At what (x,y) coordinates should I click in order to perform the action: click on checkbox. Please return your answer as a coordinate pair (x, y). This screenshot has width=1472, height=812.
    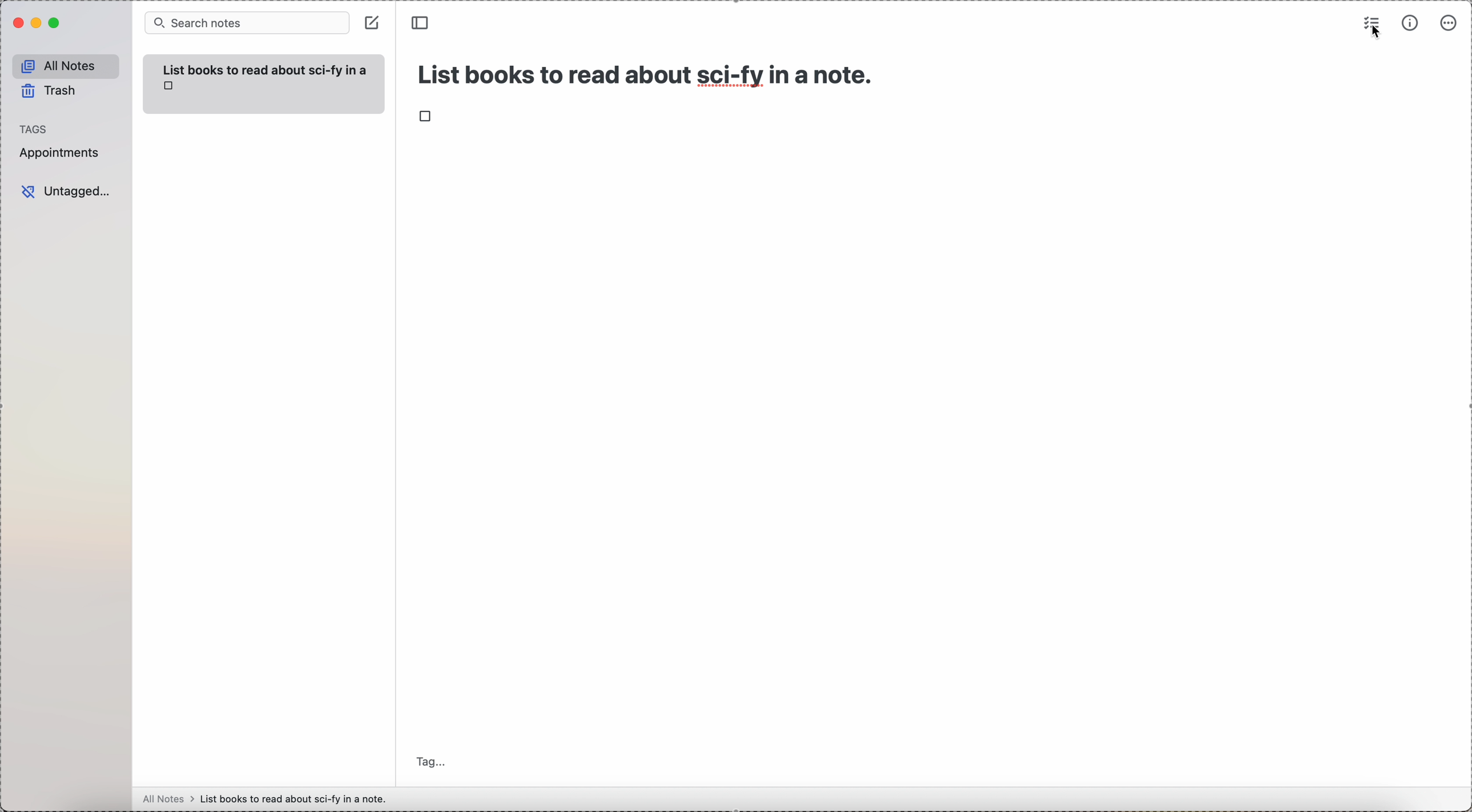
    Looking at the image, I should click on (425, 115).